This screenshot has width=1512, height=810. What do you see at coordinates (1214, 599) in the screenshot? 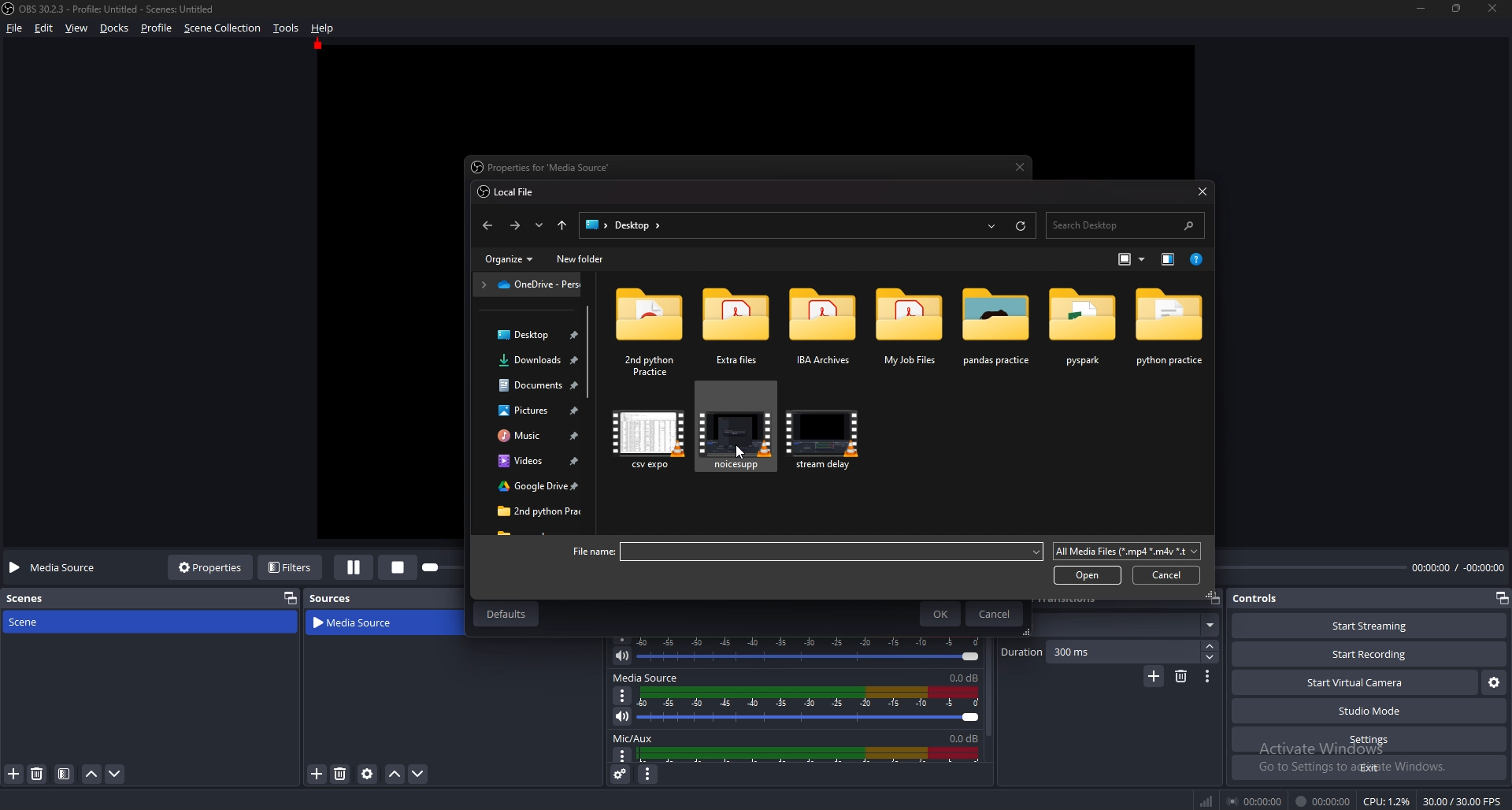
I see `Pop out` at bounding box center [1214, 599].